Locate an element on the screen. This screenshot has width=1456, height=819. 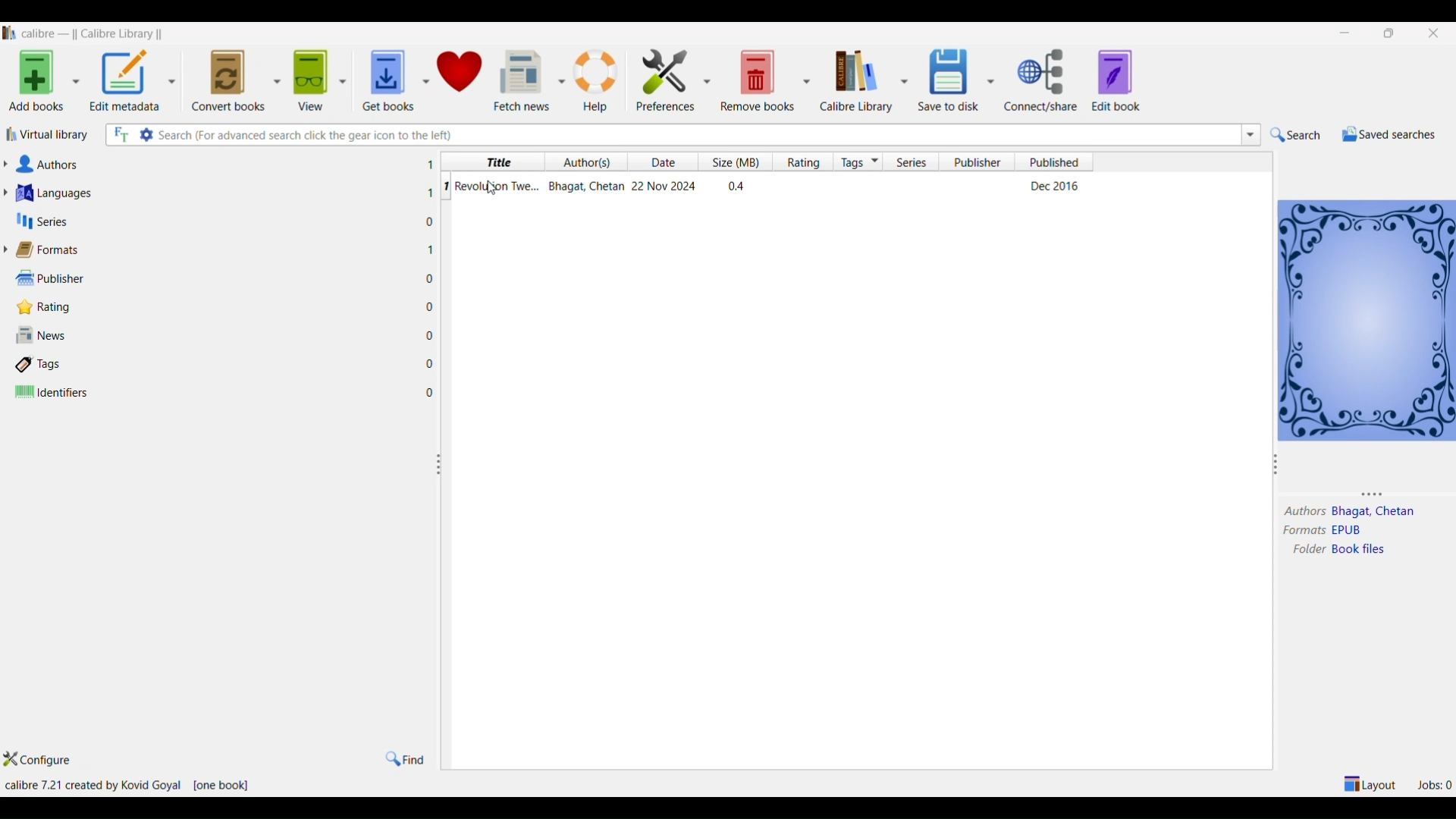
news and number of news is located at coordinates (46, 337).